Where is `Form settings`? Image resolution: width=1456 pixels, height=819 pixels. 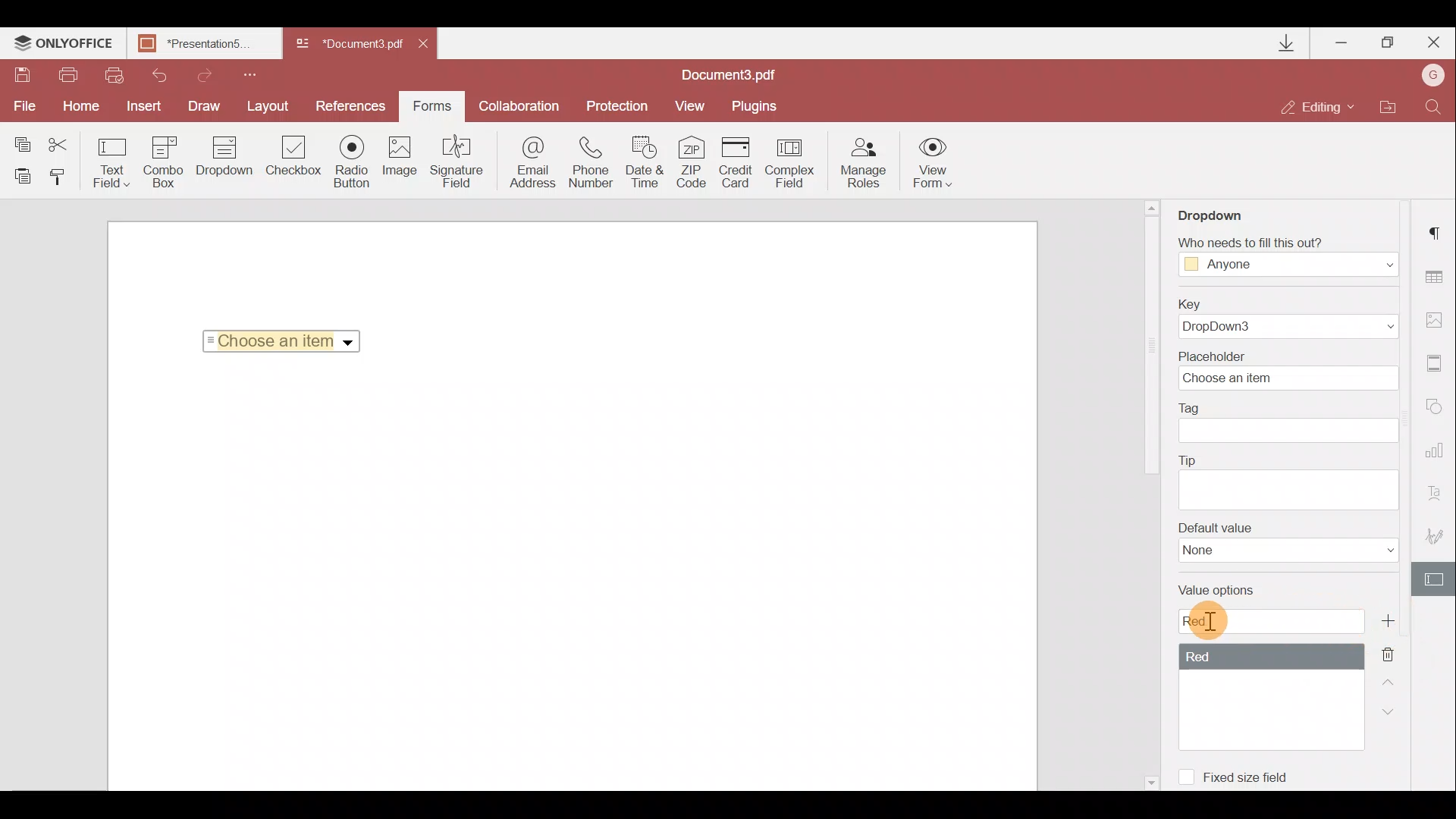 Form settings is located at coordinates (1434, 578).